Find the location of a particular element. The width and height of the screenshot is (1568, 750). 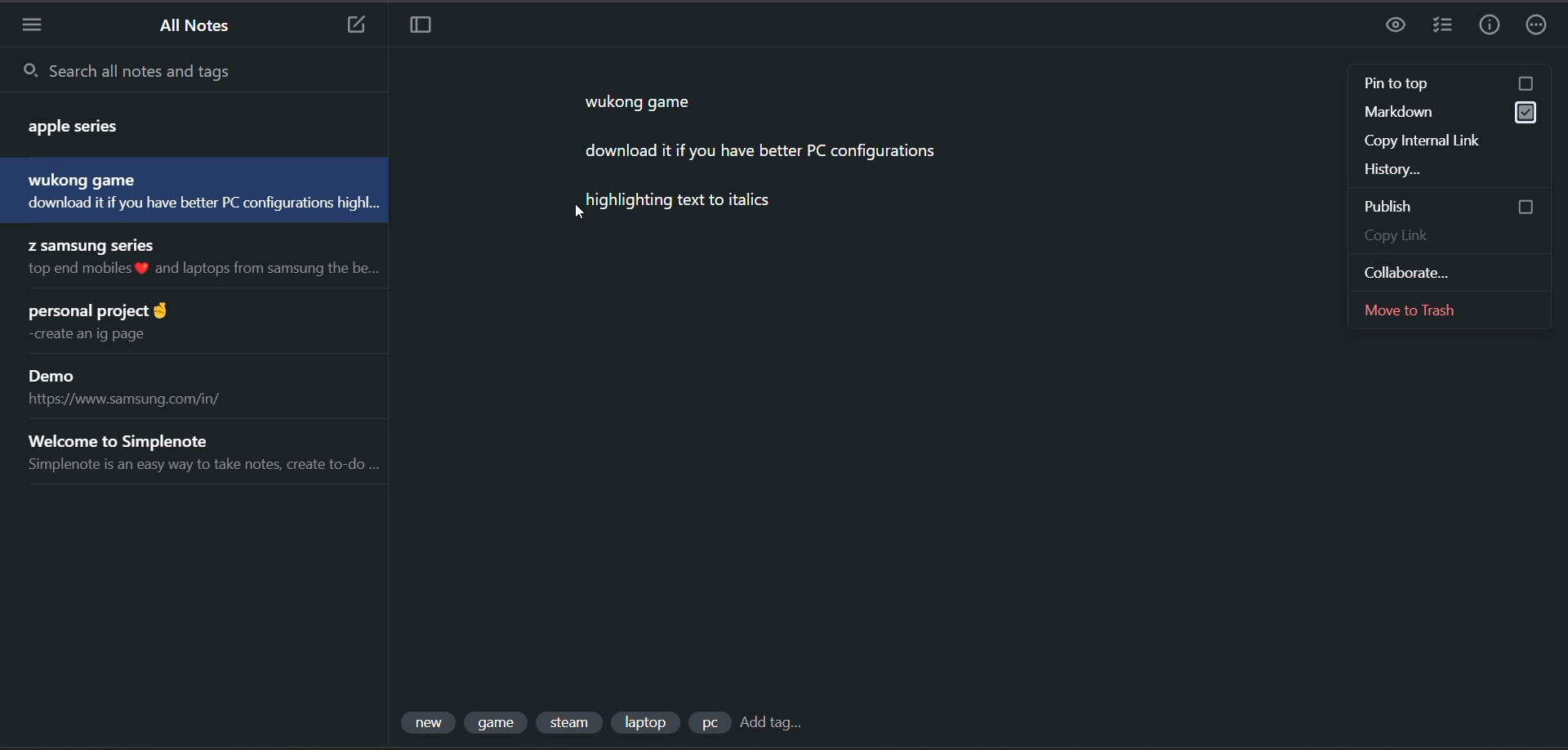

new note is located at coordinates (355, 25).